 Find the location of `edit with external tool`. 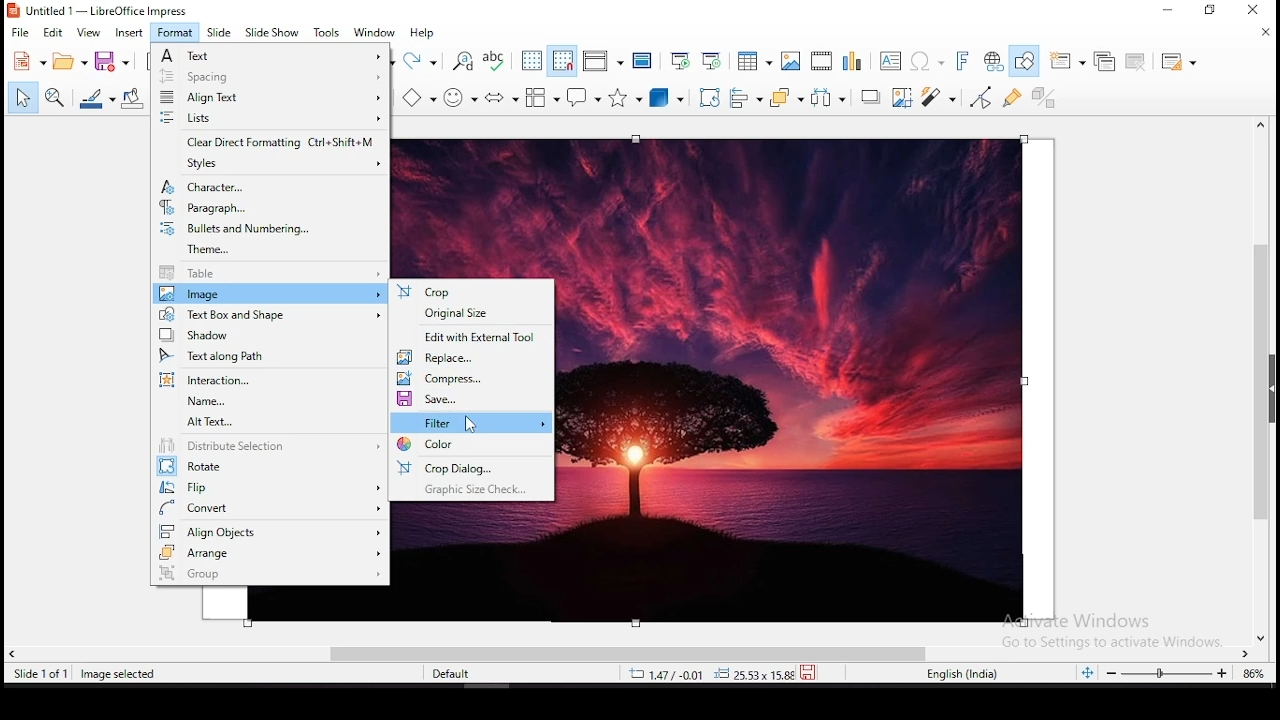

edit with external tool is located at coordinates (475, 336).